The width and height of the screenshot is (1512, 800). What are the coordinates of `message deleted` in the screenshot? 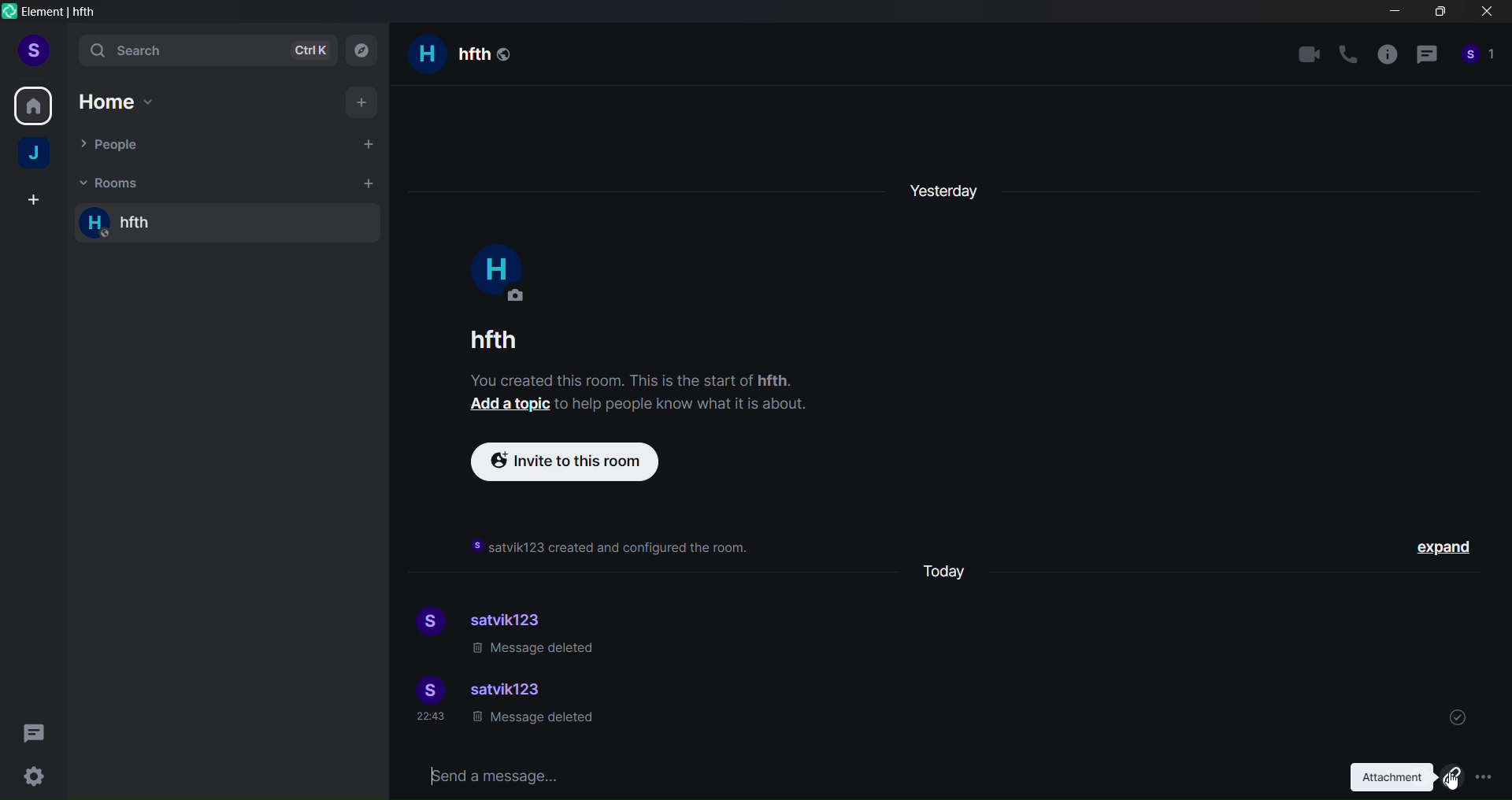 It's located at (535, 650).